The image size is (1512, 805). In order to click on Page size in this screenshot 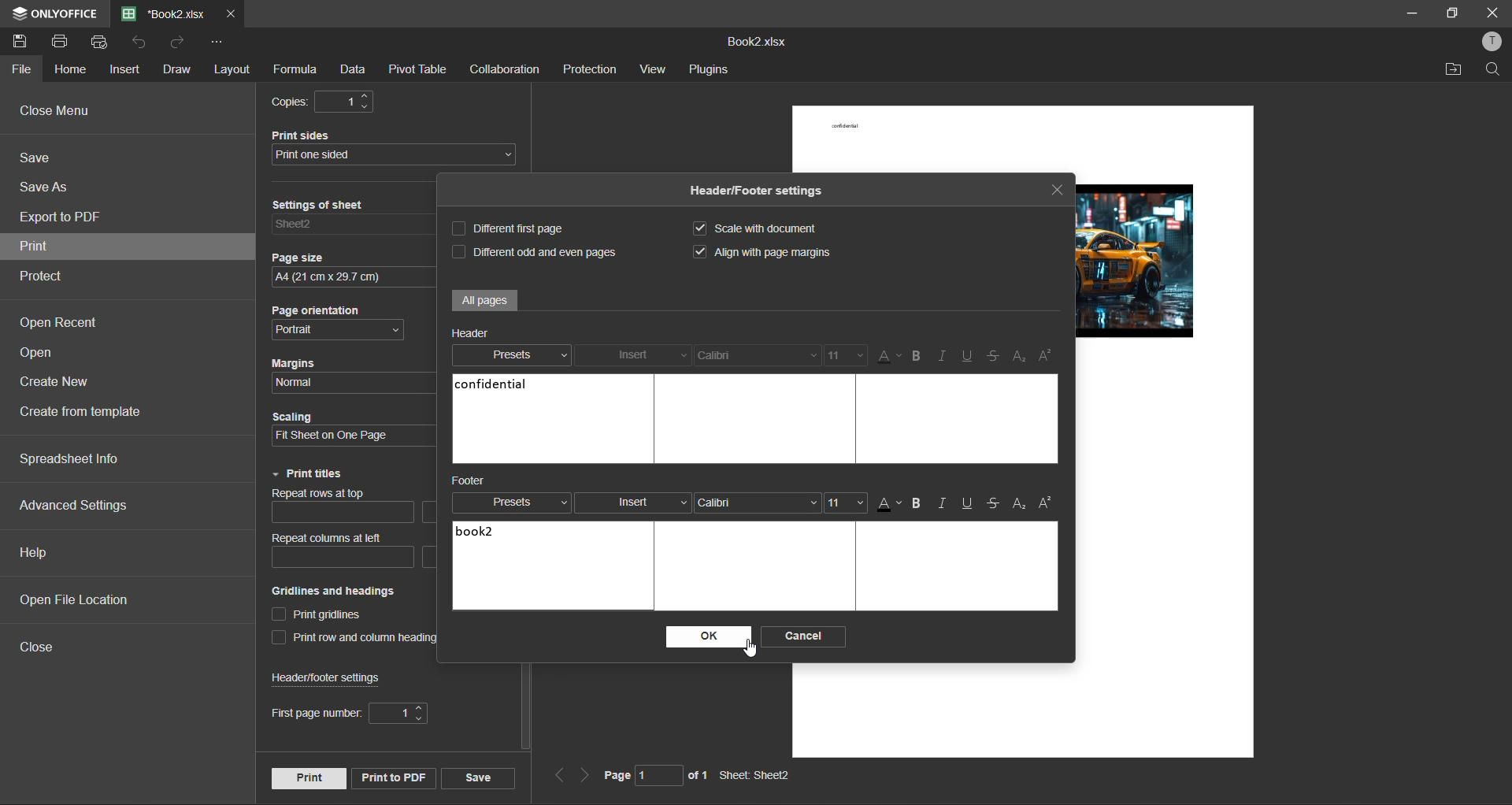, I will do `click(299, 257)`.